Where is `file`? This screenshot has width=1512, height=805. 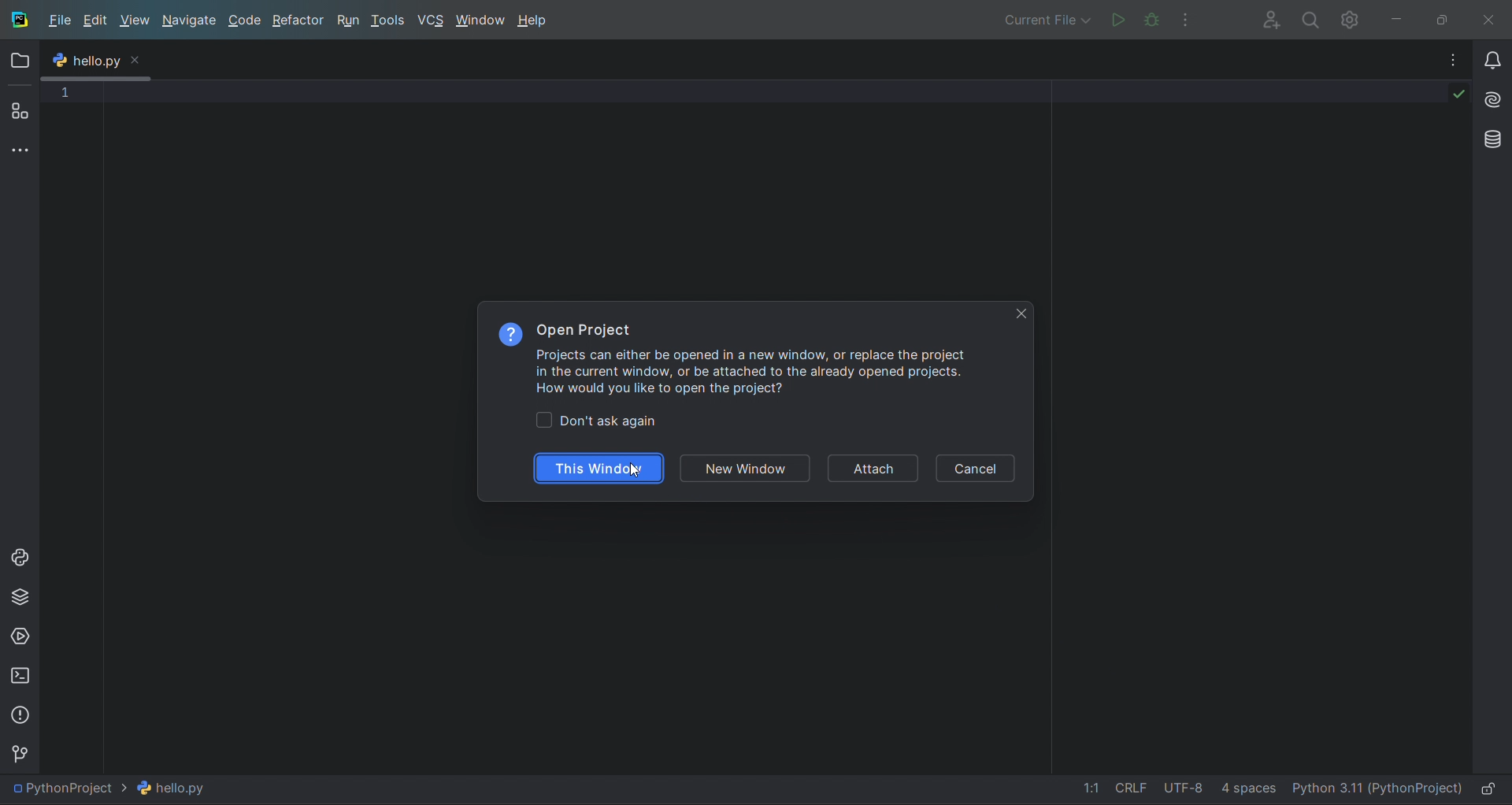
file is located at coordinates (61, 19).